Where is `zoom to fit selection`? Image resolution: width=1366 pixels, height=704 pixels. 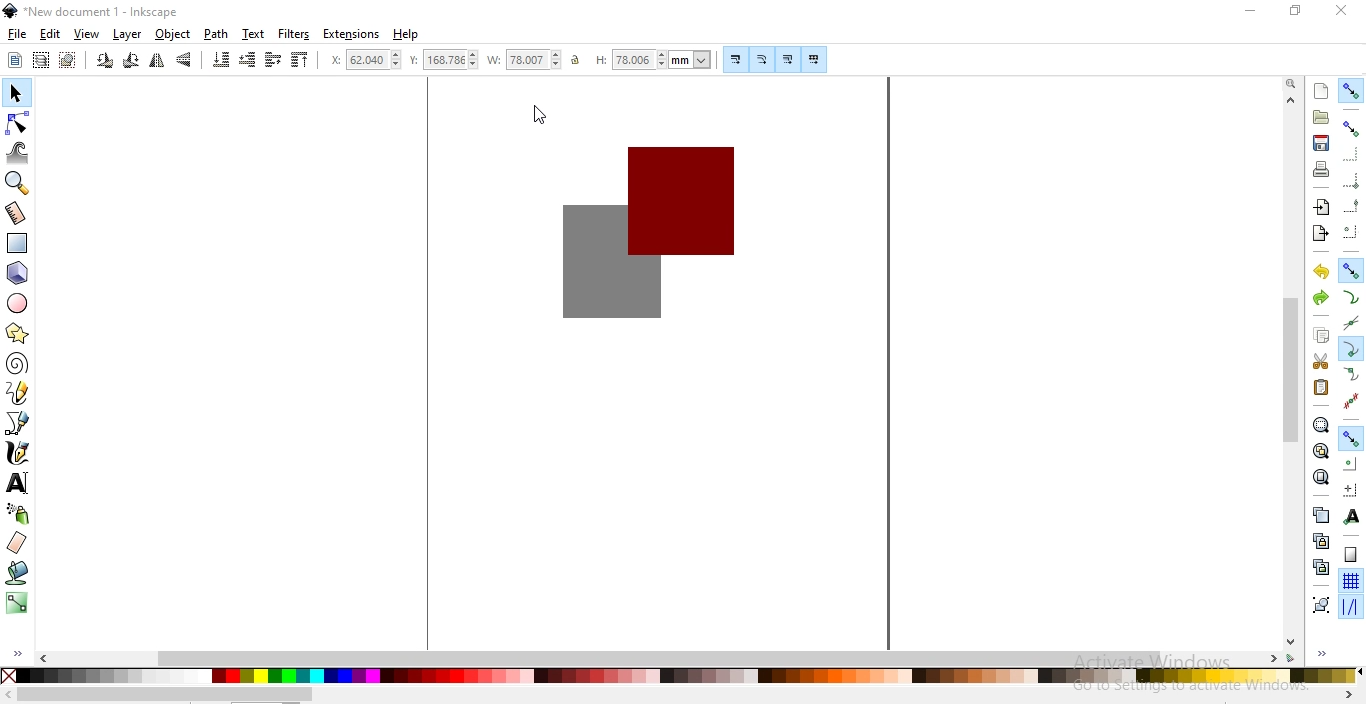
zoom to fit selection is located at coordinates (1320, 426).